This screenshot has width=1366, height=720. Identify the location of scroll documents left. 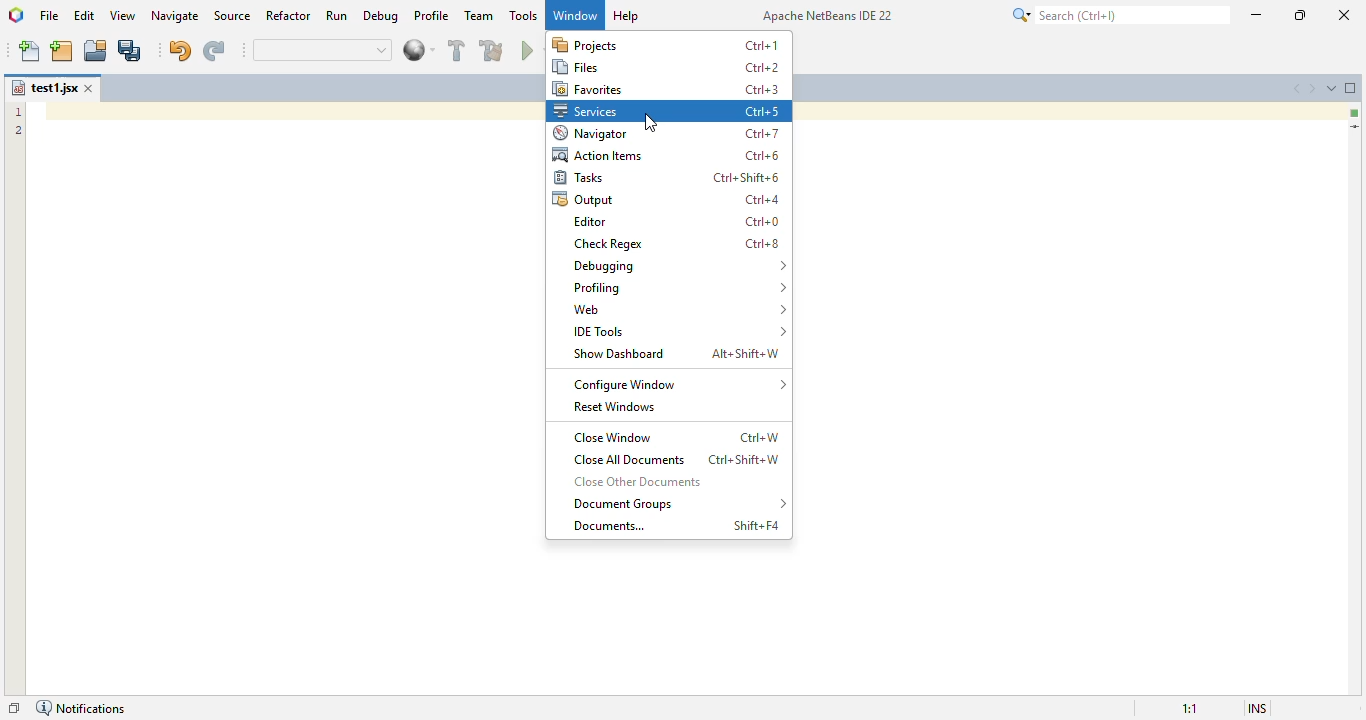
(1294, 88).